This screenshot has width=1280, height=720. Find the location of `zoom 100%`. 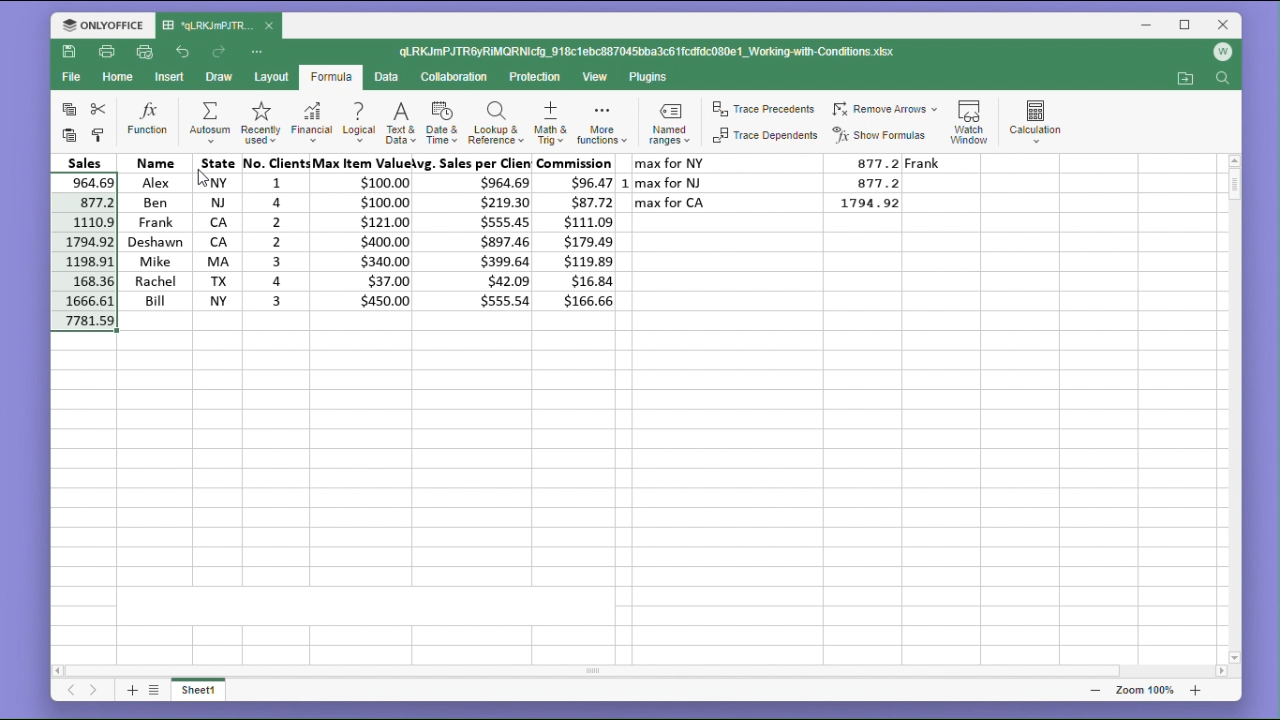

zoom 100% is located at coordinates (1141, 690).